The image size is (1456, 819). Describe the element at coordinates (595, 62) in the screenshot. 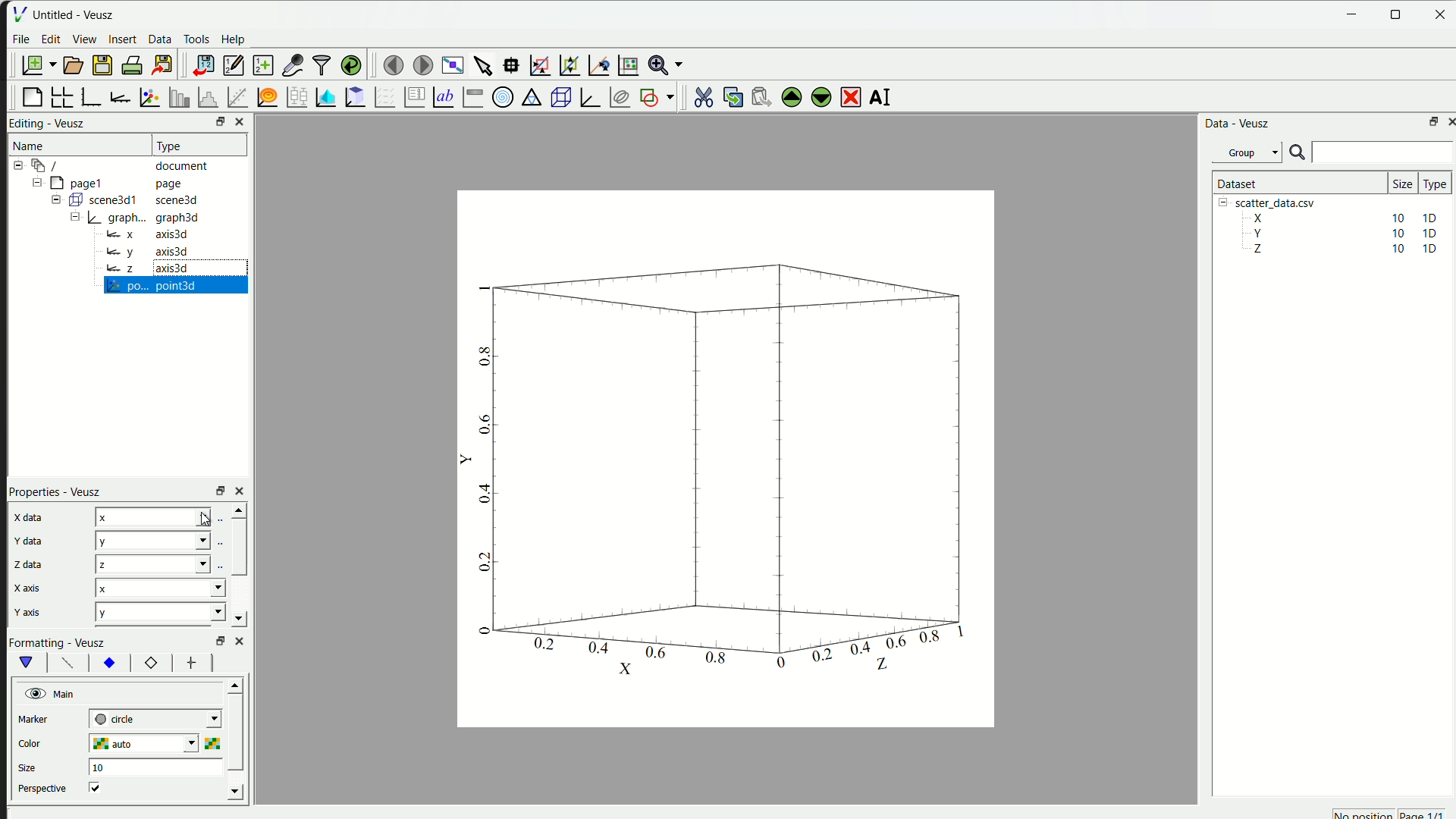

I see `recenter graph axes` at that location.